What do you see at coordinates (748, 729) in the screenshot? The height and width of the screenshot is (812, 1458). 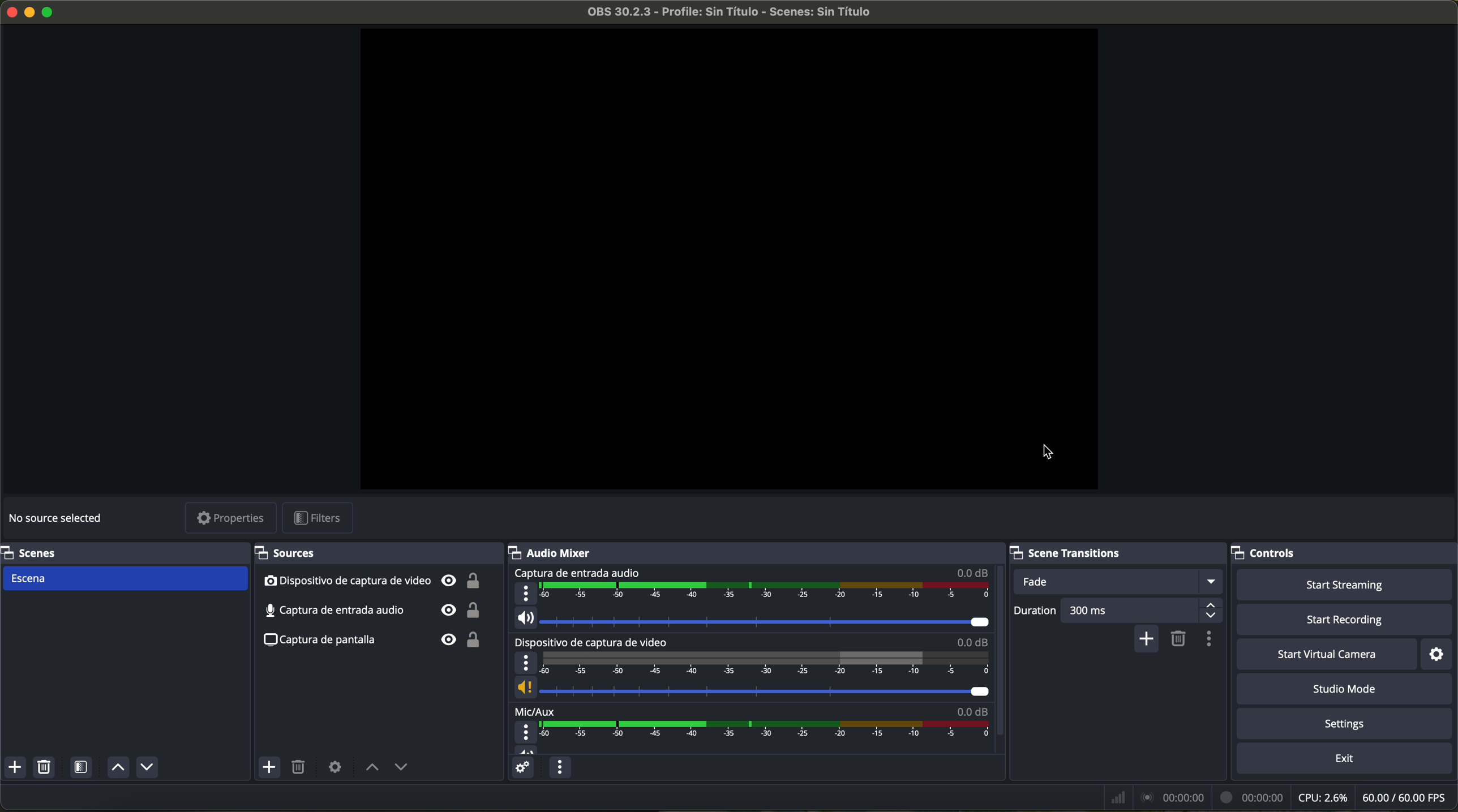 I see `Mic/Aux` at bounding box center [748, 729].